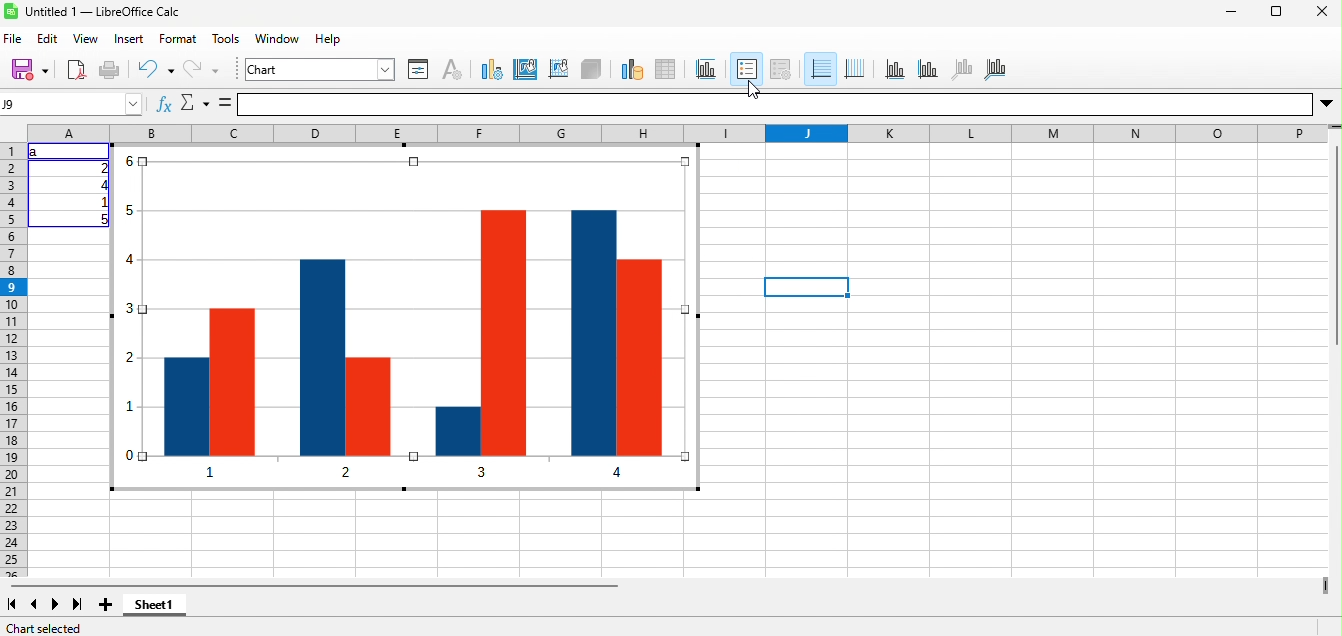  Describe the element at coordinates (154, 605) in the screenshot. I see `sheet1` at that location.